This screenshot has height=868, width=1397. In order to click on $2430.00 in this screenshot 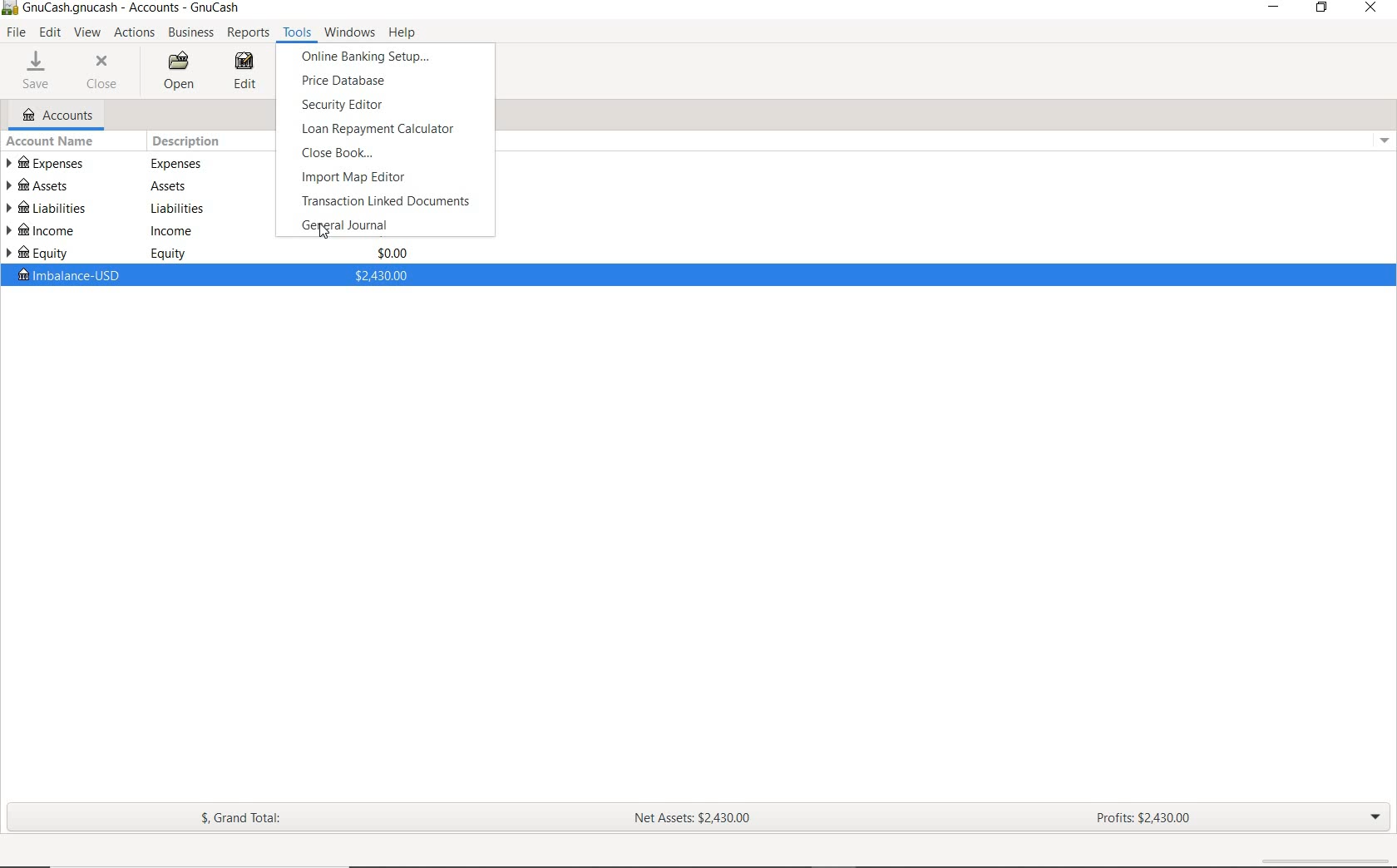, I will do `click(380, 274)`.